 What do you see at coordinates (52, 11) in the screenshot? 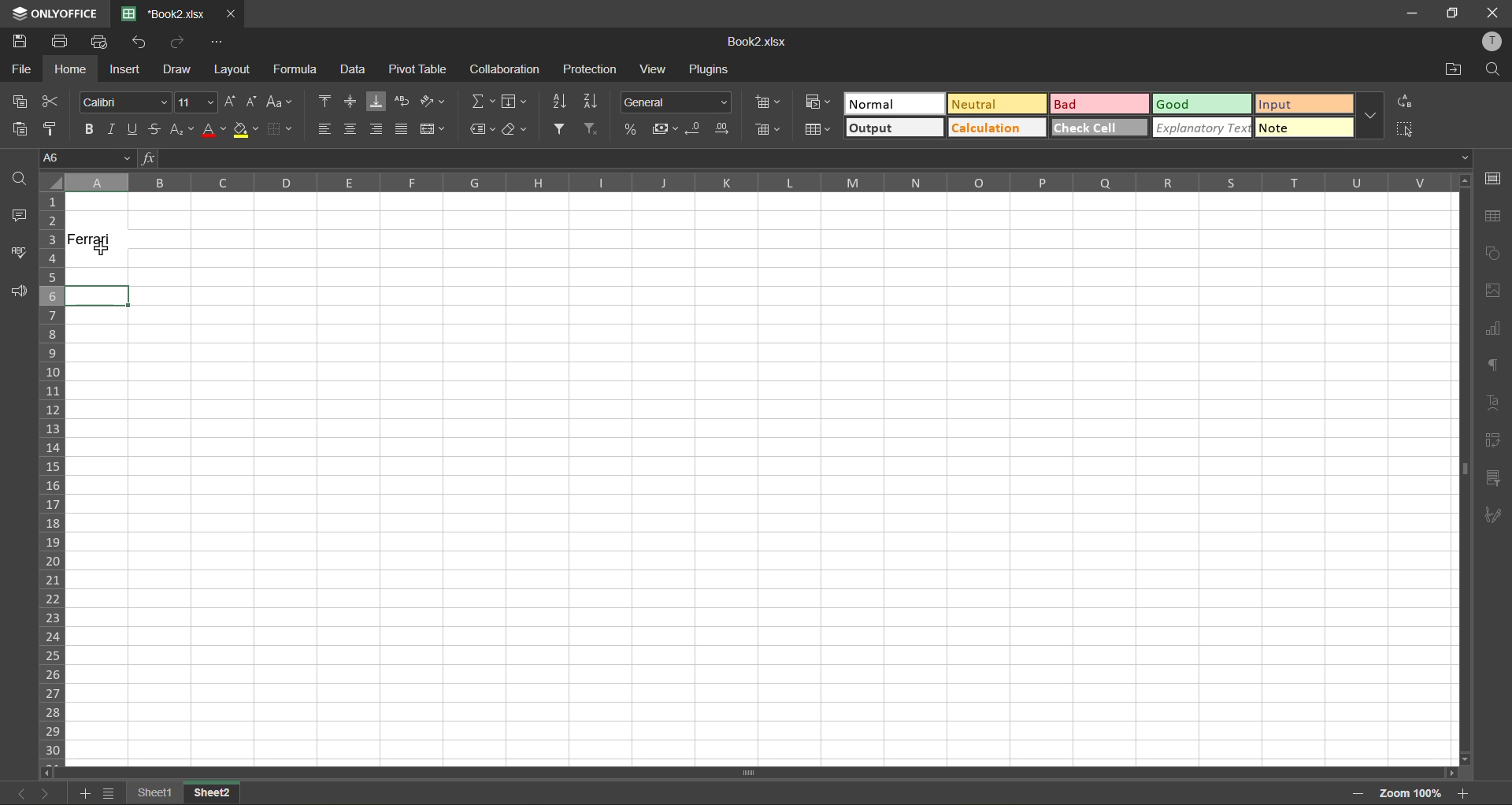
I see `ONLYOFFICE` at bounding box center [52, 11].